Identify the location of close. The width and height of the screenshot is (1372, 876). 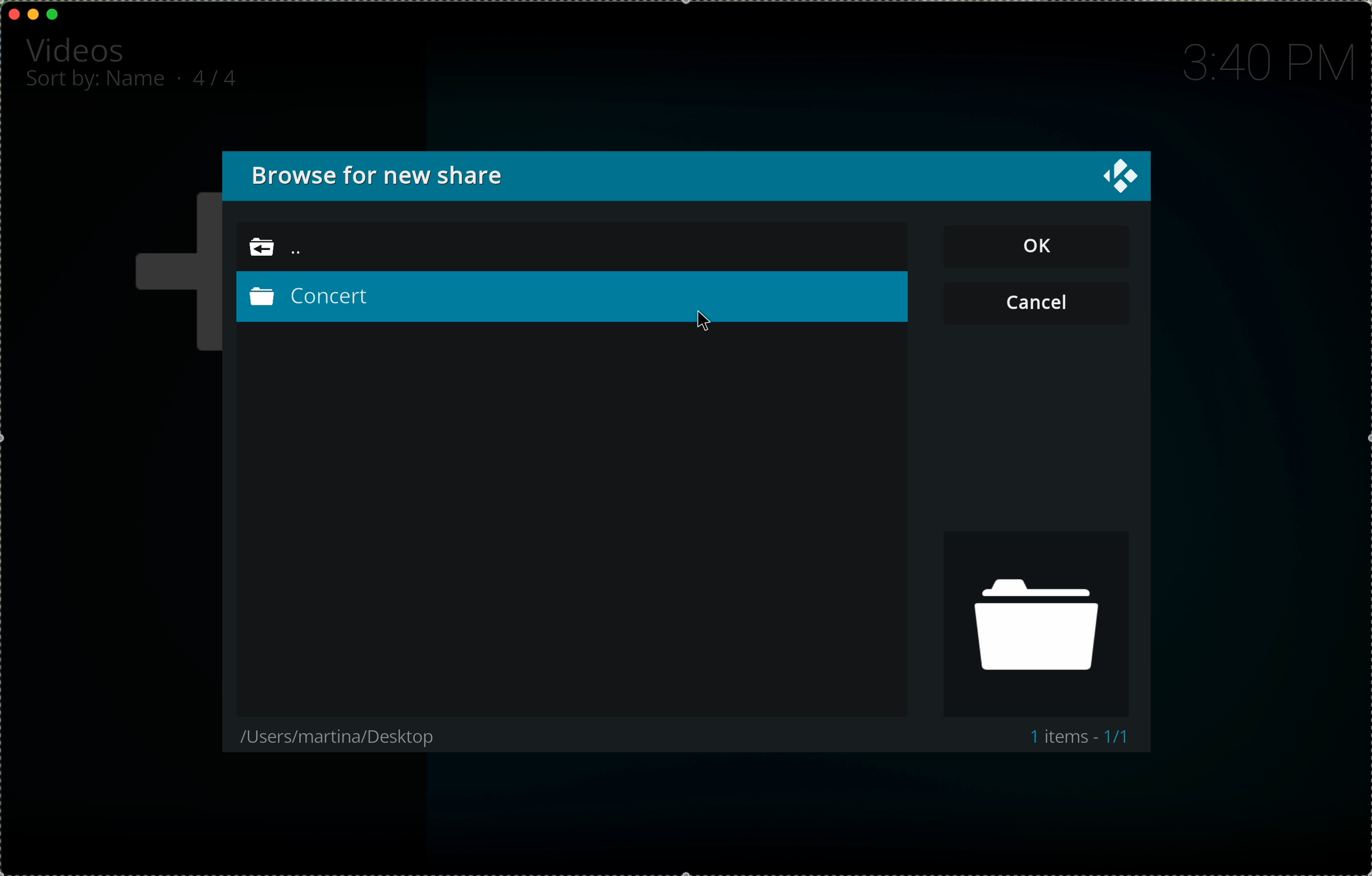
(15, 14).